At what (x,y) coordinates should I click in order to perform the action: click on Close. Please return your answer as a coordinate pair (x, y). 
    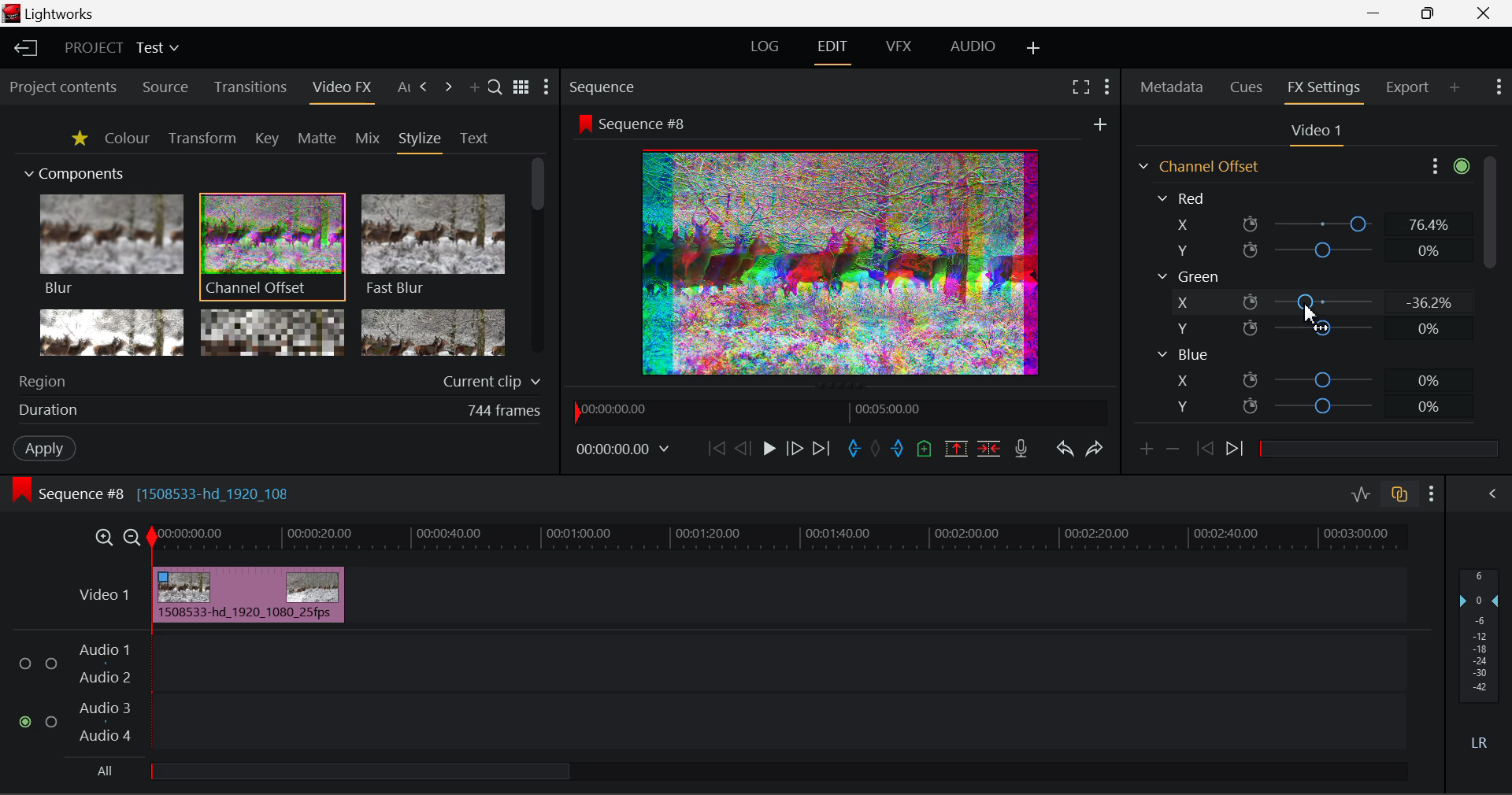
    Looking at the image, I should click on (1483, 14).